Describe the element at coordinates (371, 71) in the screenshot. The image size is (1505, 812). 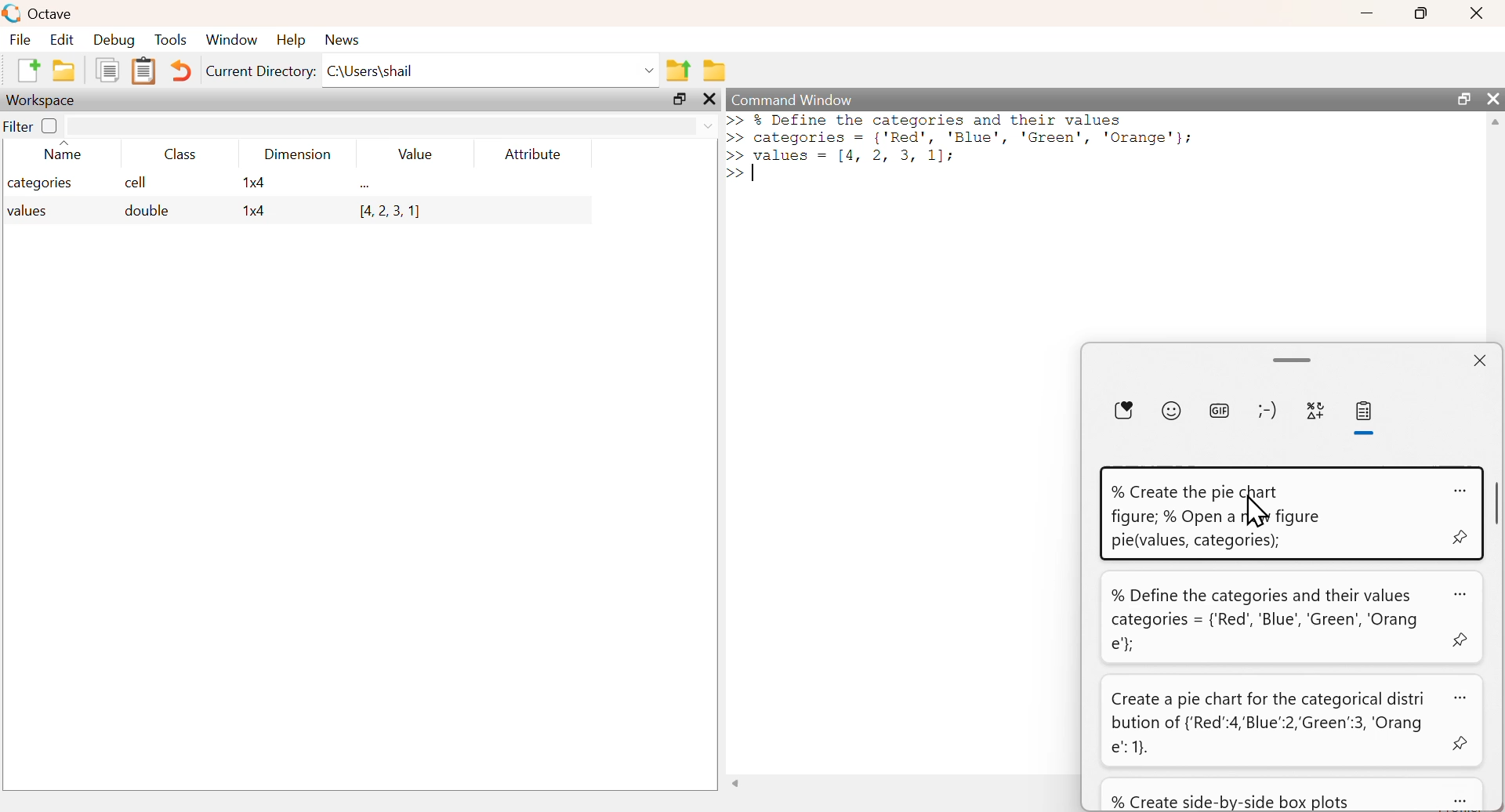
I see `C:\Users\shail` at that location.